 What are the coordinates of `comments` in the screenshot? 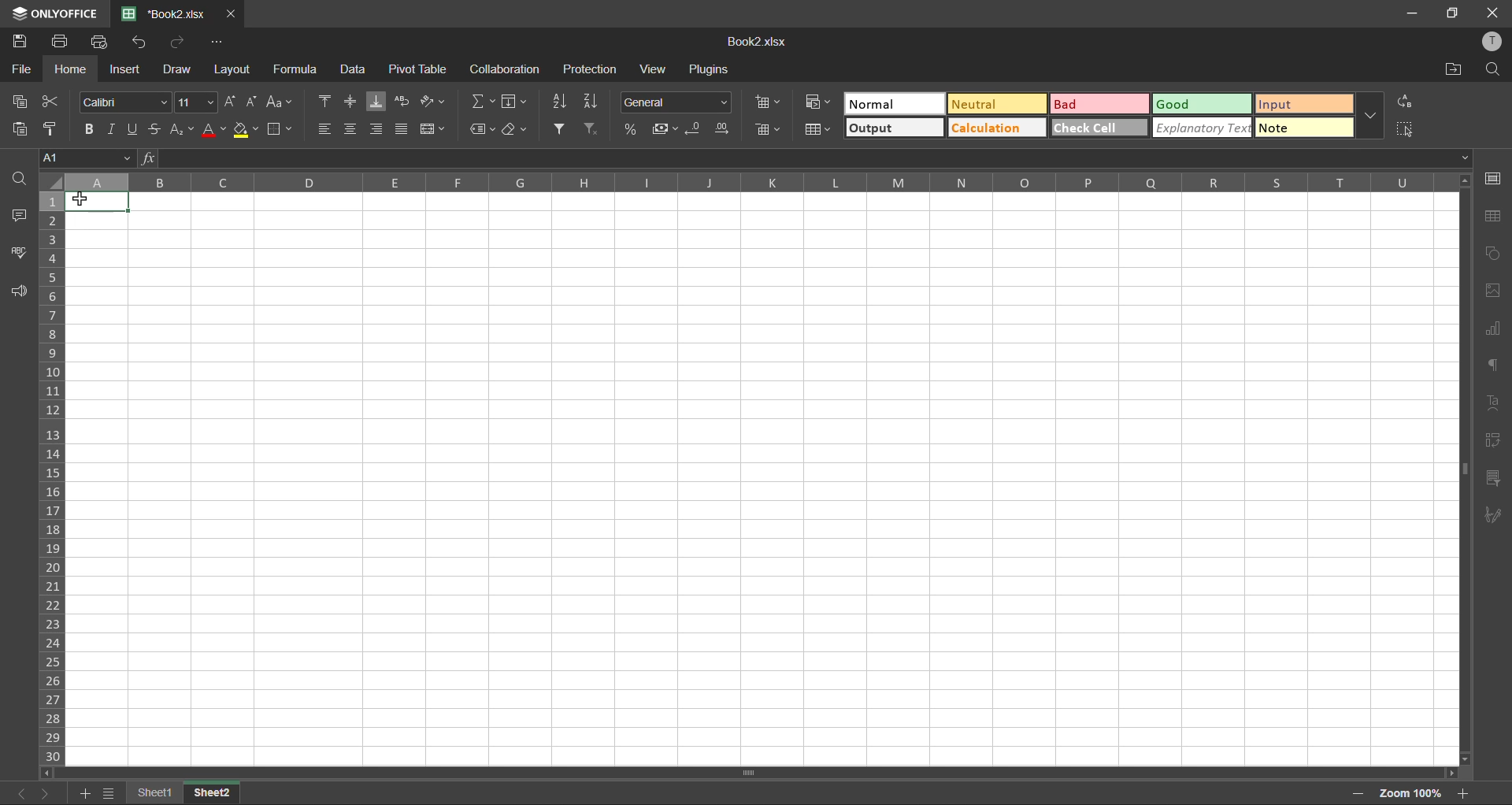 It's located at (20, 215).